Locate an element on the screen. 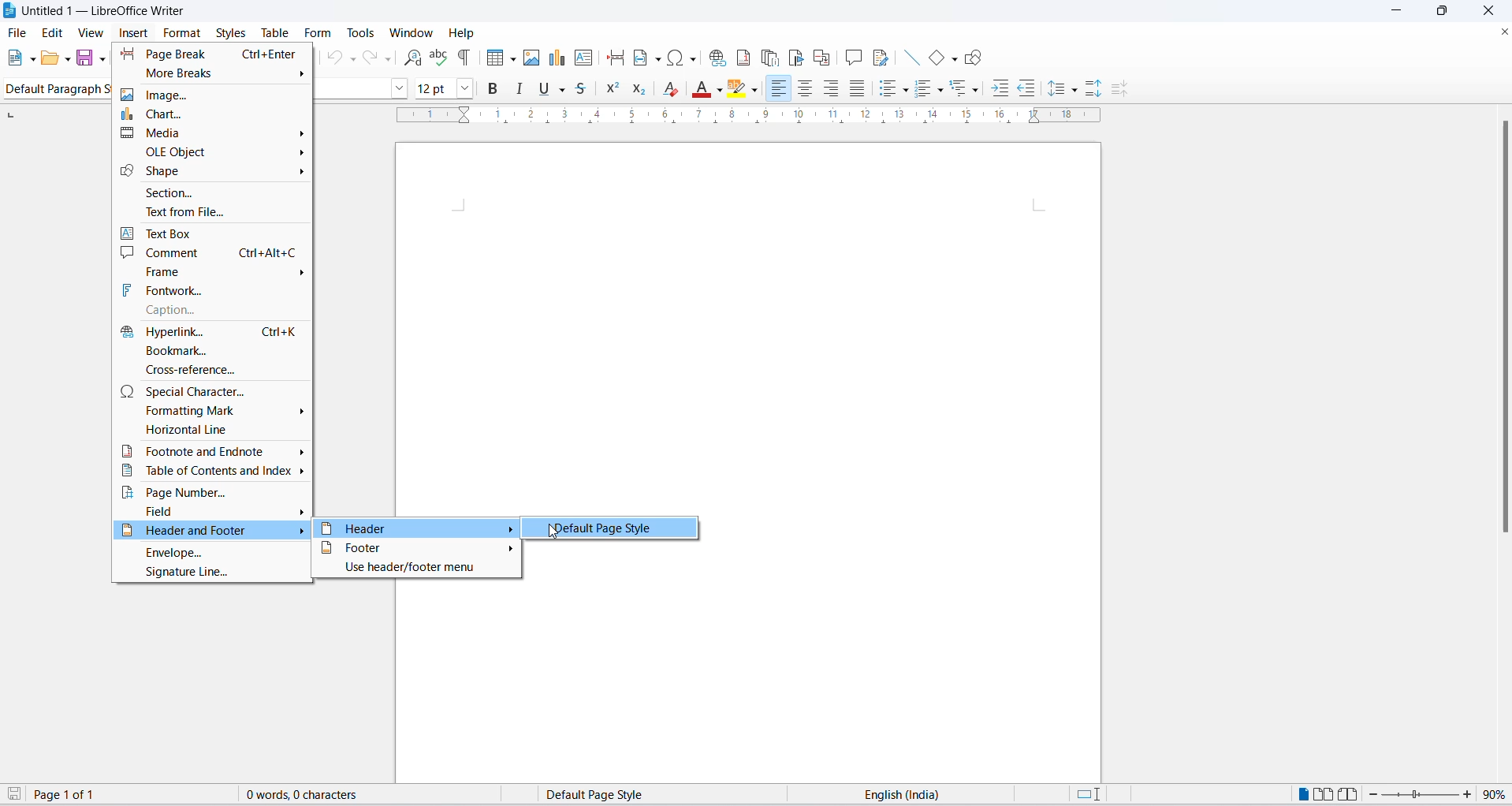 This screenshot has width=1512, height=806. underline options is located at coordinates (566, 90).